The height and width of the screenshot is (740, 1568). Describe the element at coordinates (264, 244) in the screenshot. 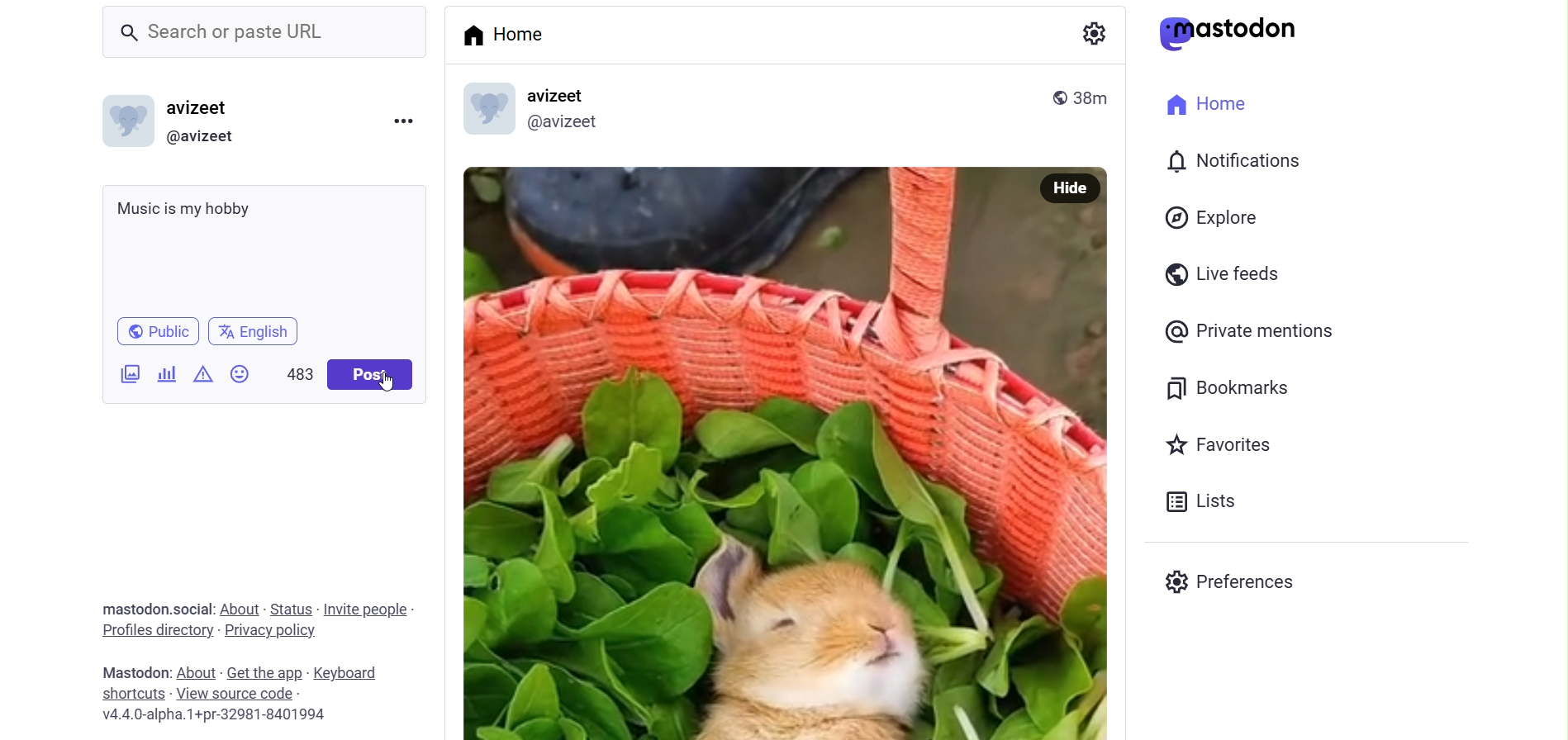

I see `Music is my hobby` at that location.